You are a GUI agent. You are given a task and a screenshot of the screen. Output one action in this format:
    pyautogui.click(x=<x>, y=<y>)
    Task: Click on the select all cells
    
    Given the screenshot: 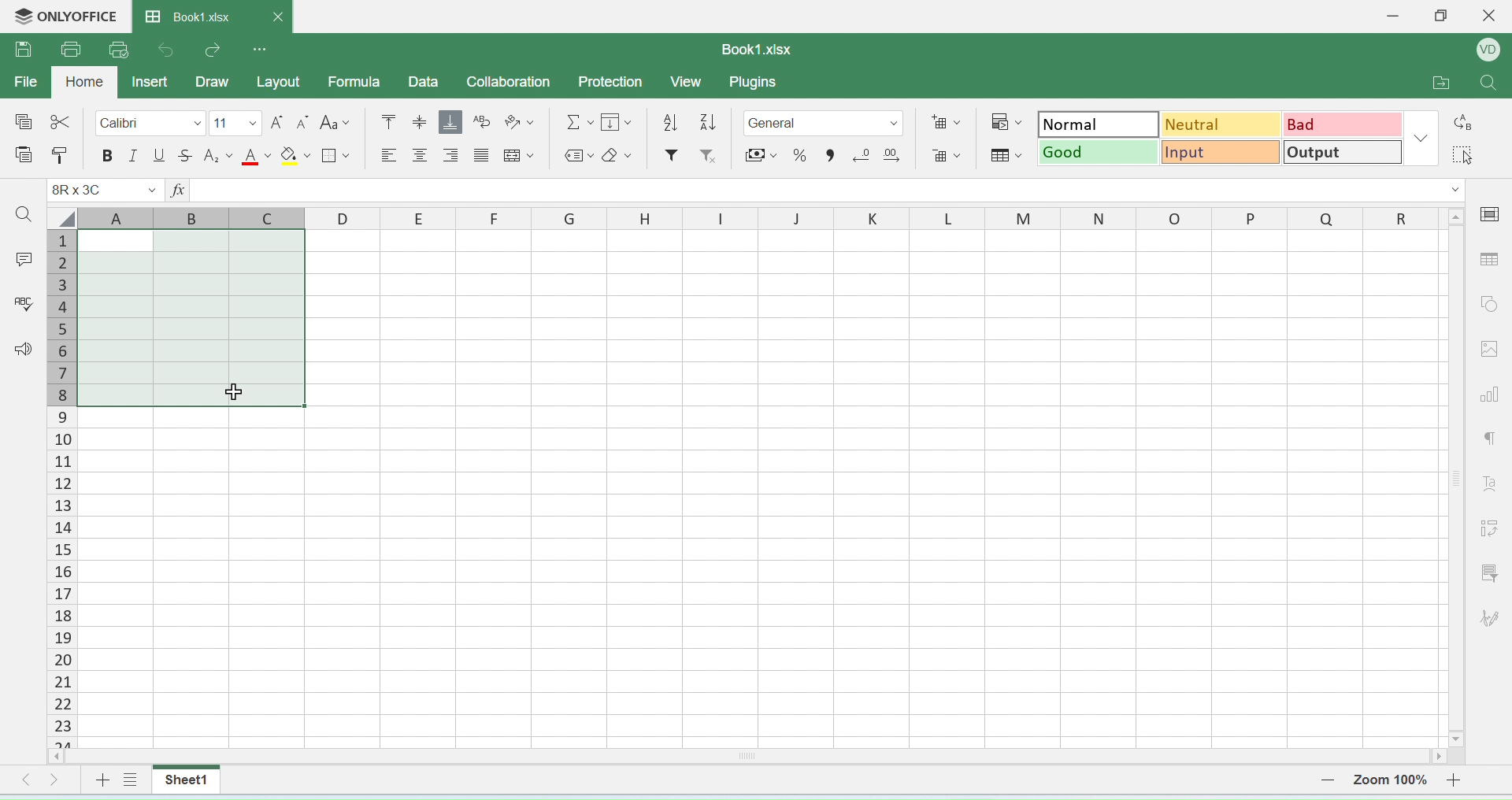 What is the action you would take?
    pyautogui.click(x=61, y=217)
    